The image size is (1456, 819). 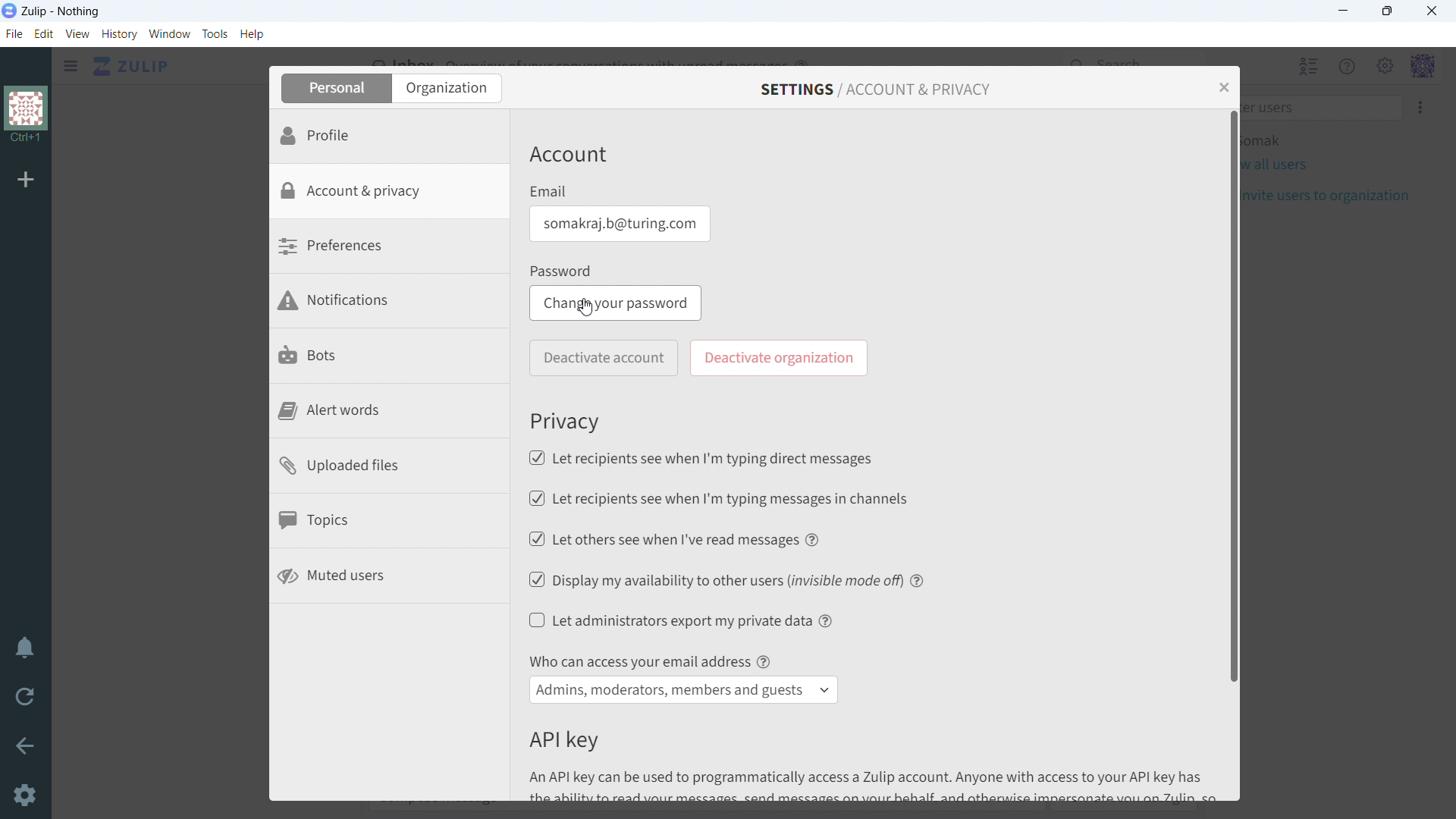 I want to click on settings, so click(x=27, y=797).